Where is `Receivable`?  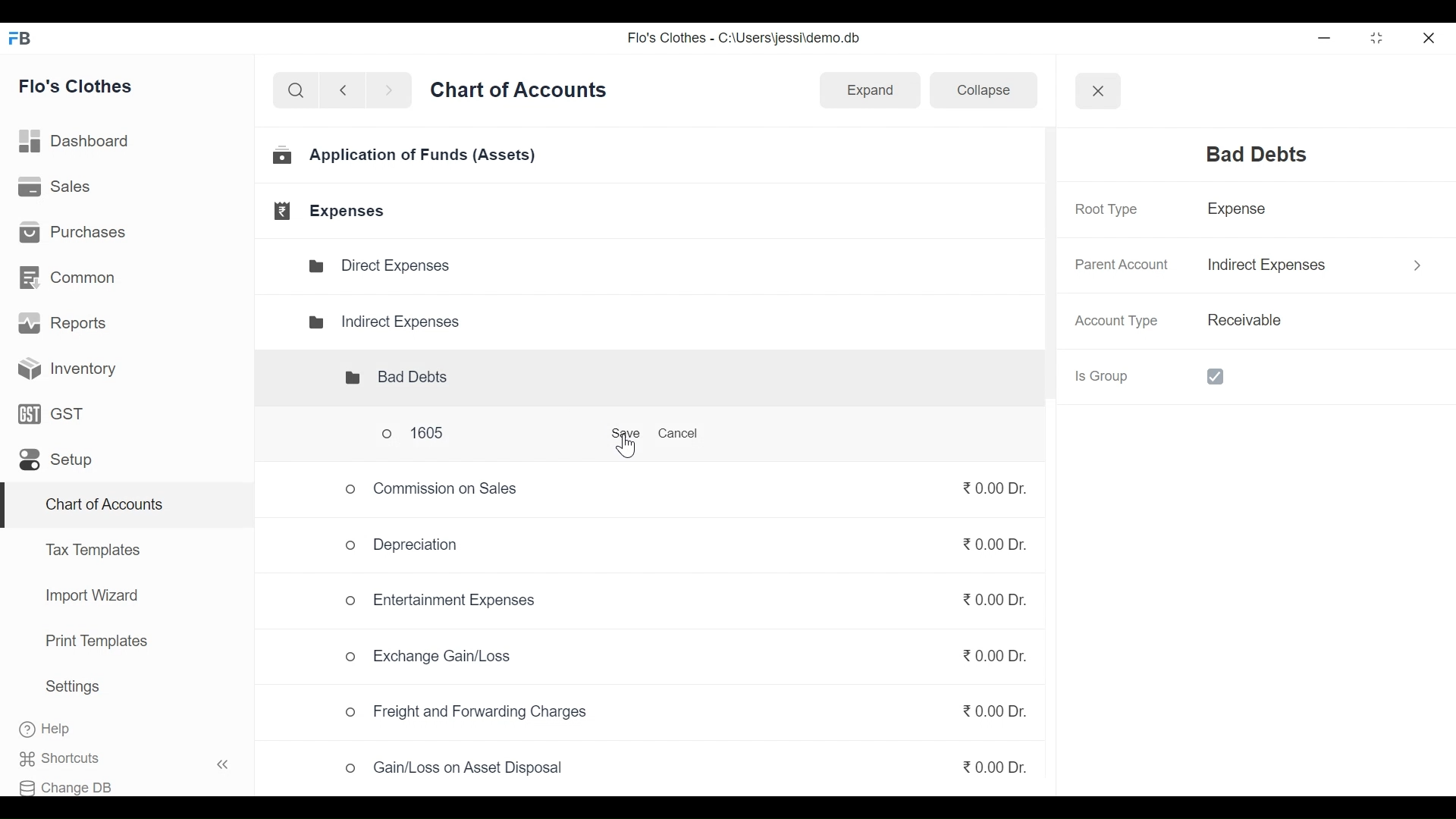
Receivable is located at coordinates (1242, 321).